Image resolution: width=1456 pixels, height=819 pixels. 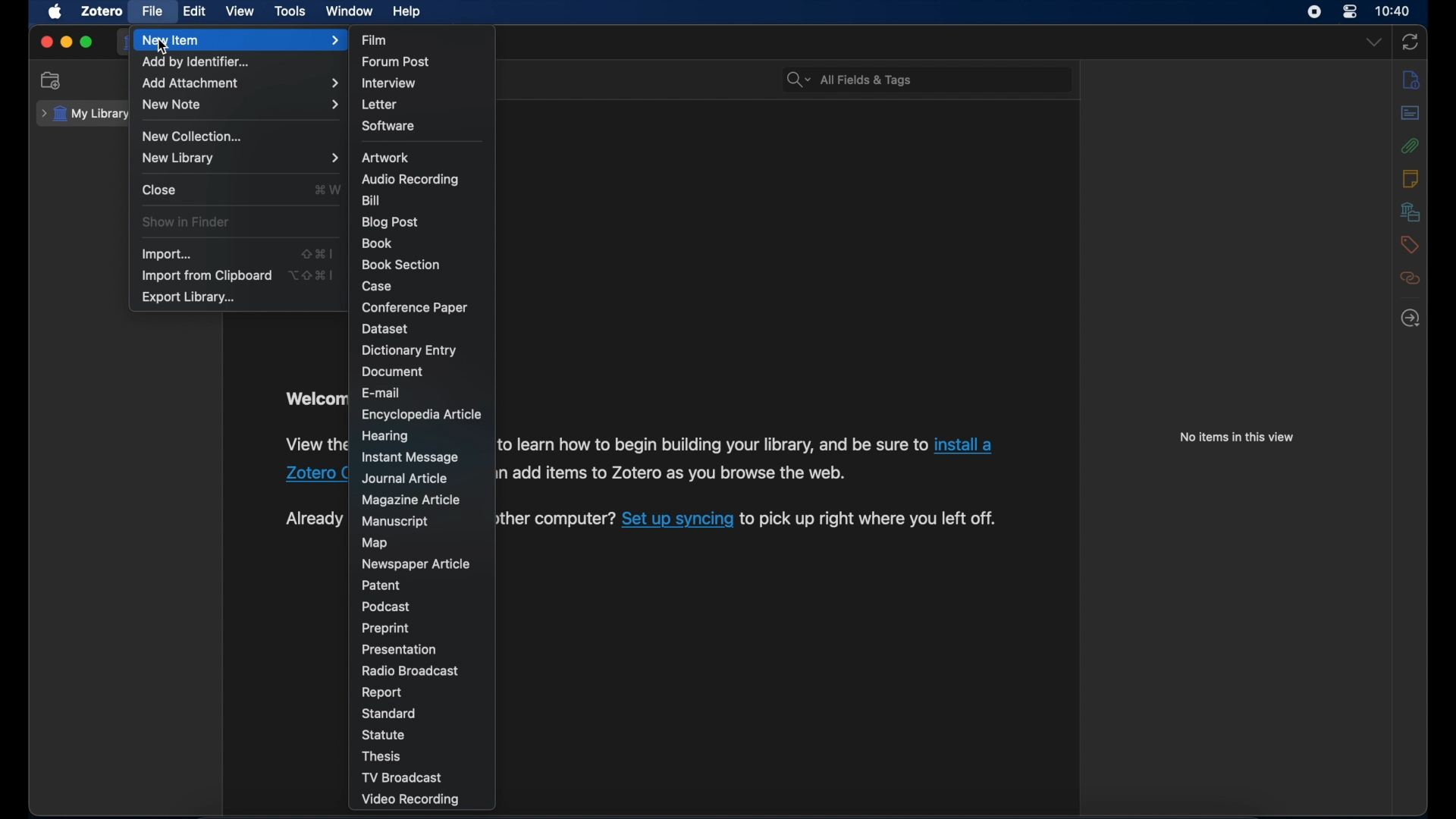 I want to click on control center, so click(x=1350, y=12).